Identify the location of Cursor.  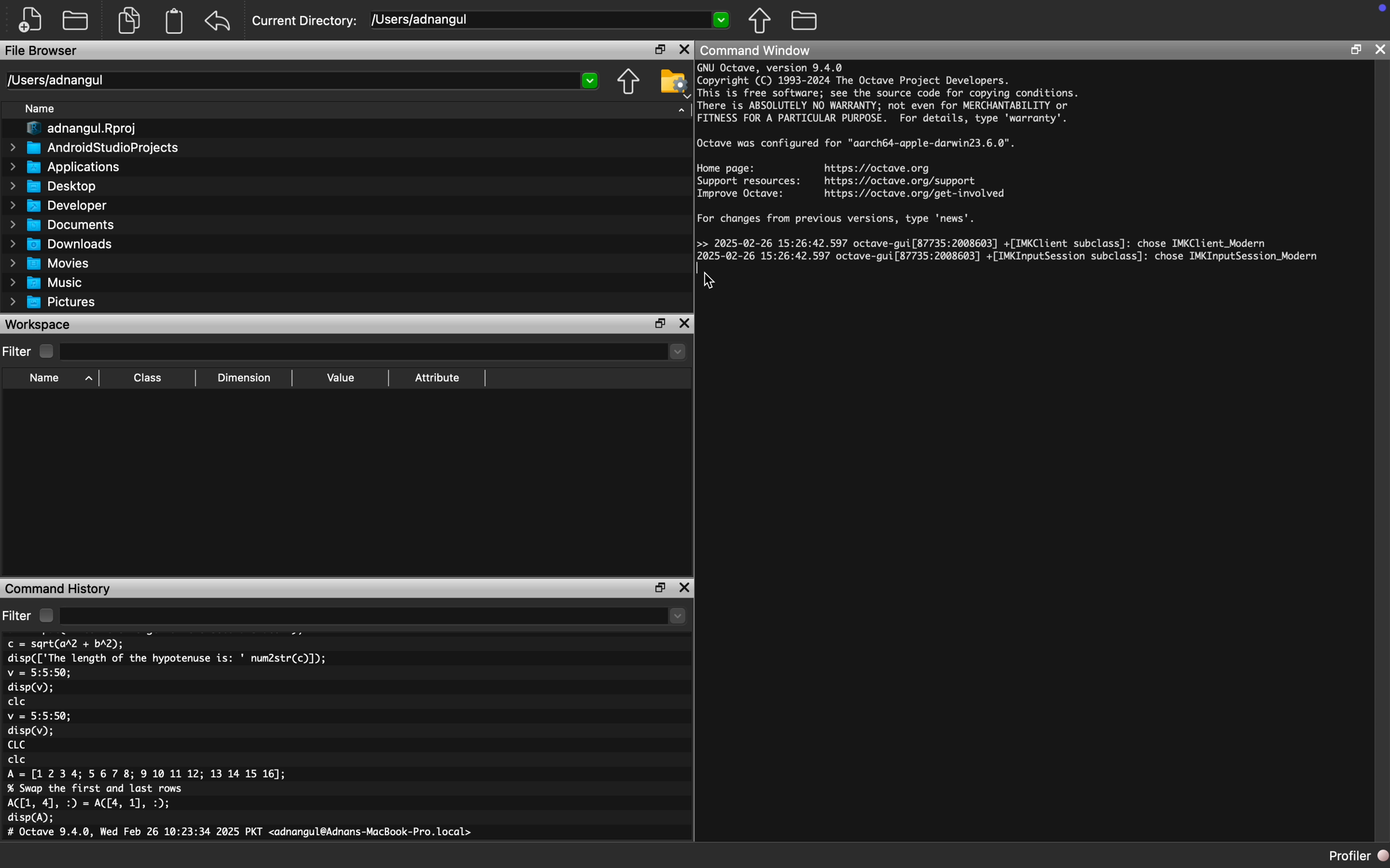
(711, 280).